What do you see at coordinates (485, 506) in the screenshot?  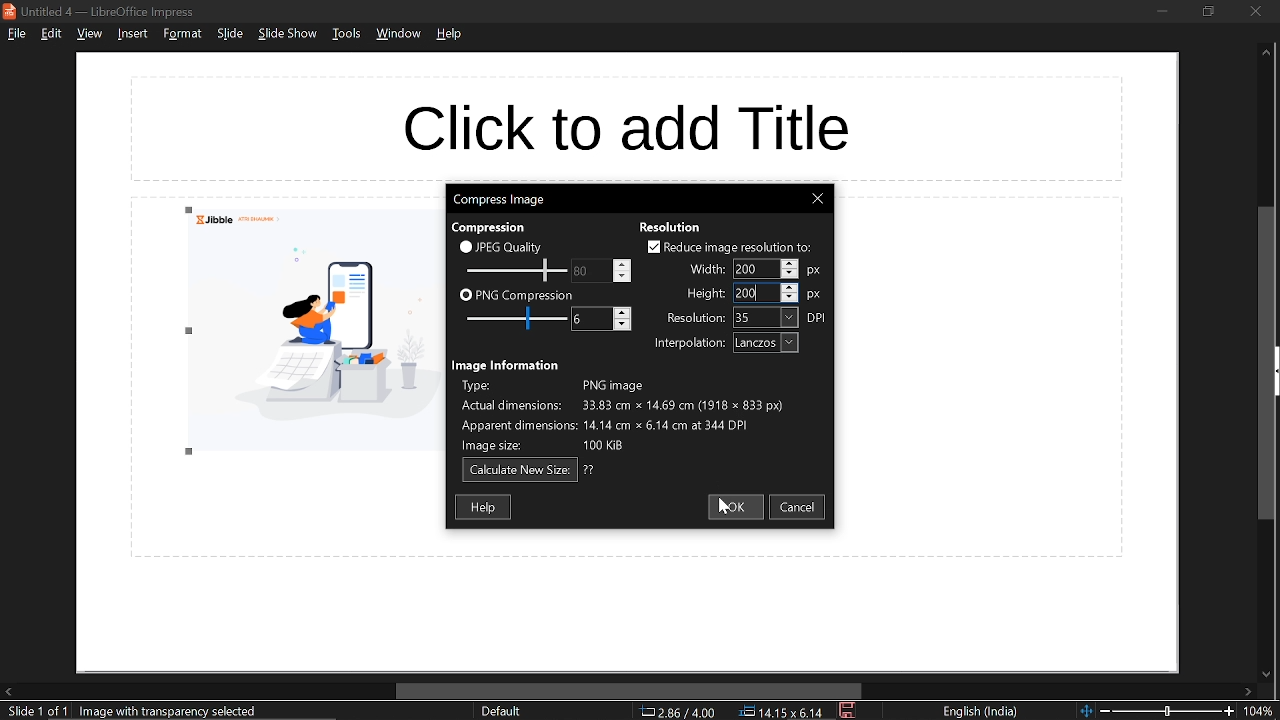 I see `help` at bounding box center [485, 506].